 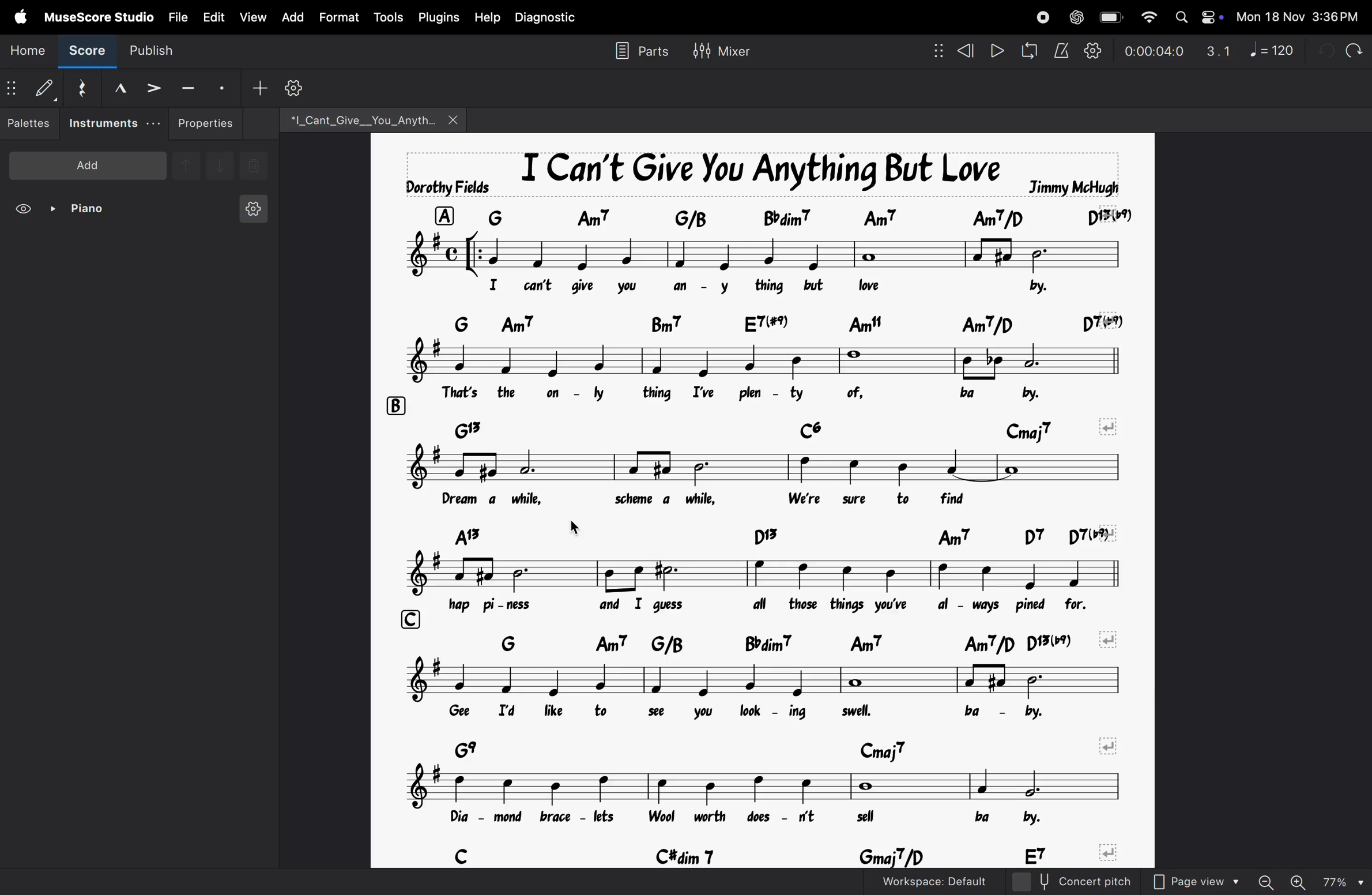 What do you see at coordinates (87, 164) in the screenshot?
I see `add` at bounding box center [87, 164].